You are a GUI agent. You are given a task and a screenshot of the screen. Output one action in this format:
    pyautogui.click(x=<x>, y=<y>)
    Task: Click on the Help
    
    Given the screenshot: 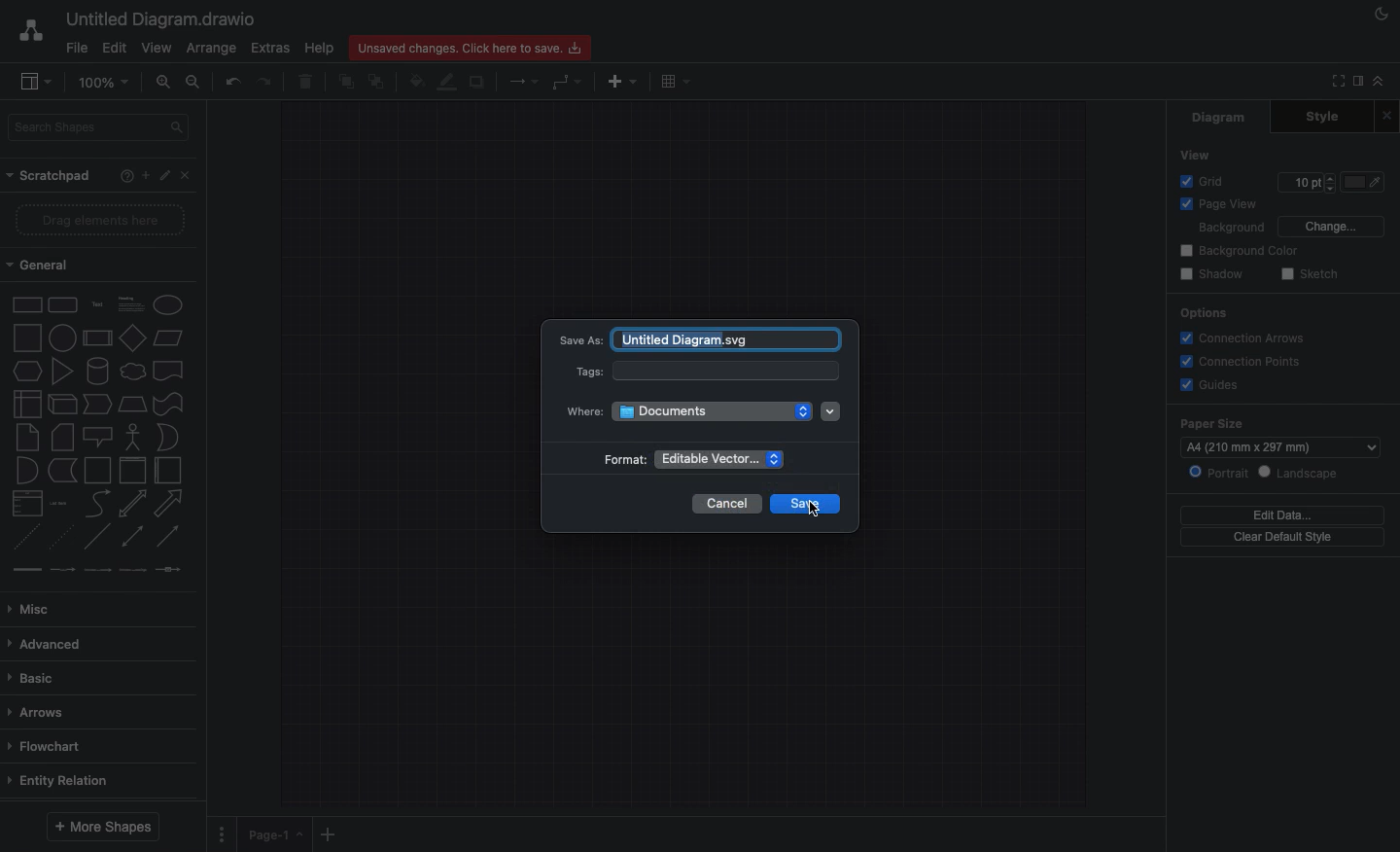 What is the action you would take?
    pyautogui.click(x=122, y=173)
    